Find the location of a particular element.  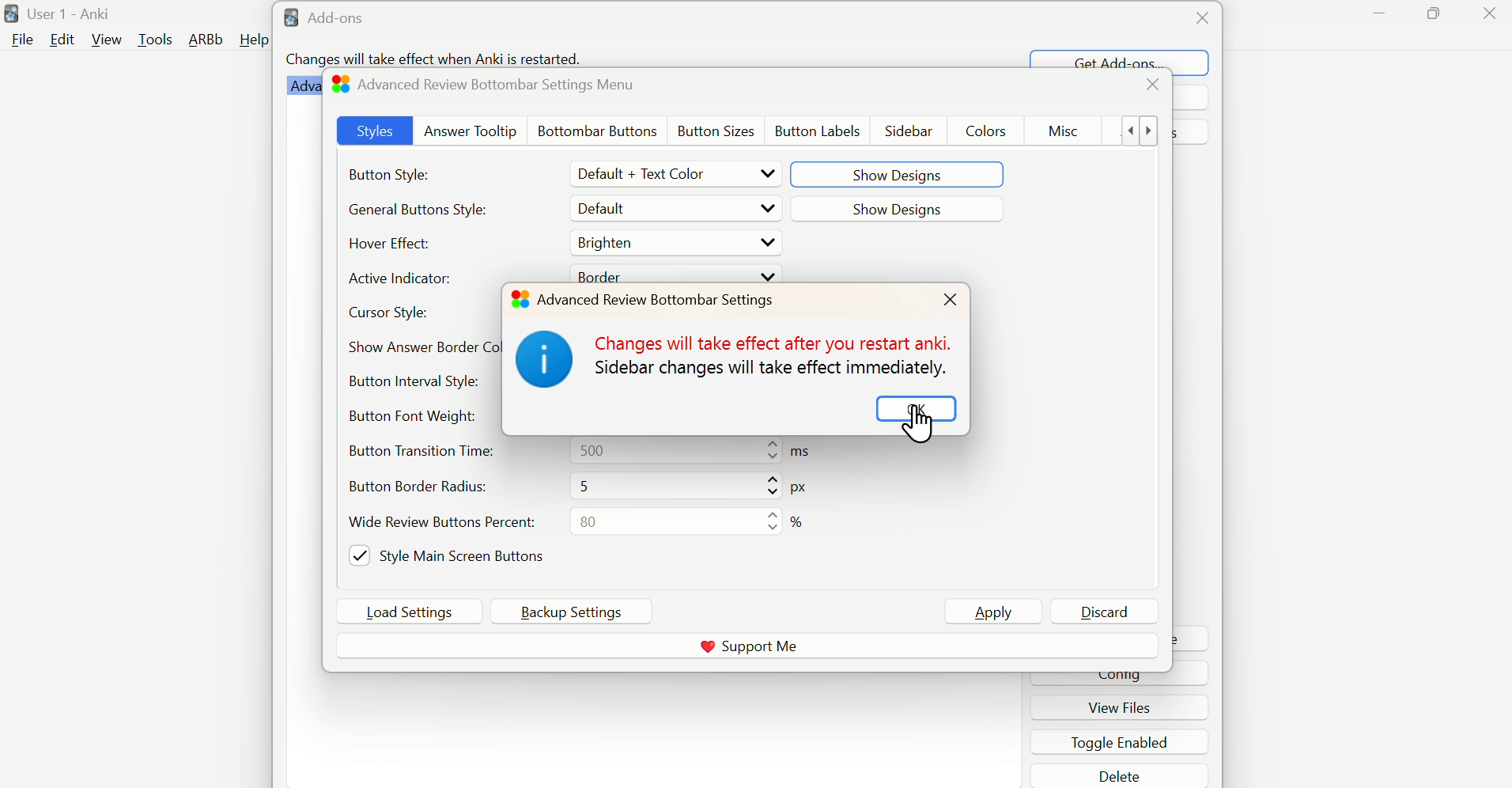

Button Bore=der radius is located at coordinates (417, 485).